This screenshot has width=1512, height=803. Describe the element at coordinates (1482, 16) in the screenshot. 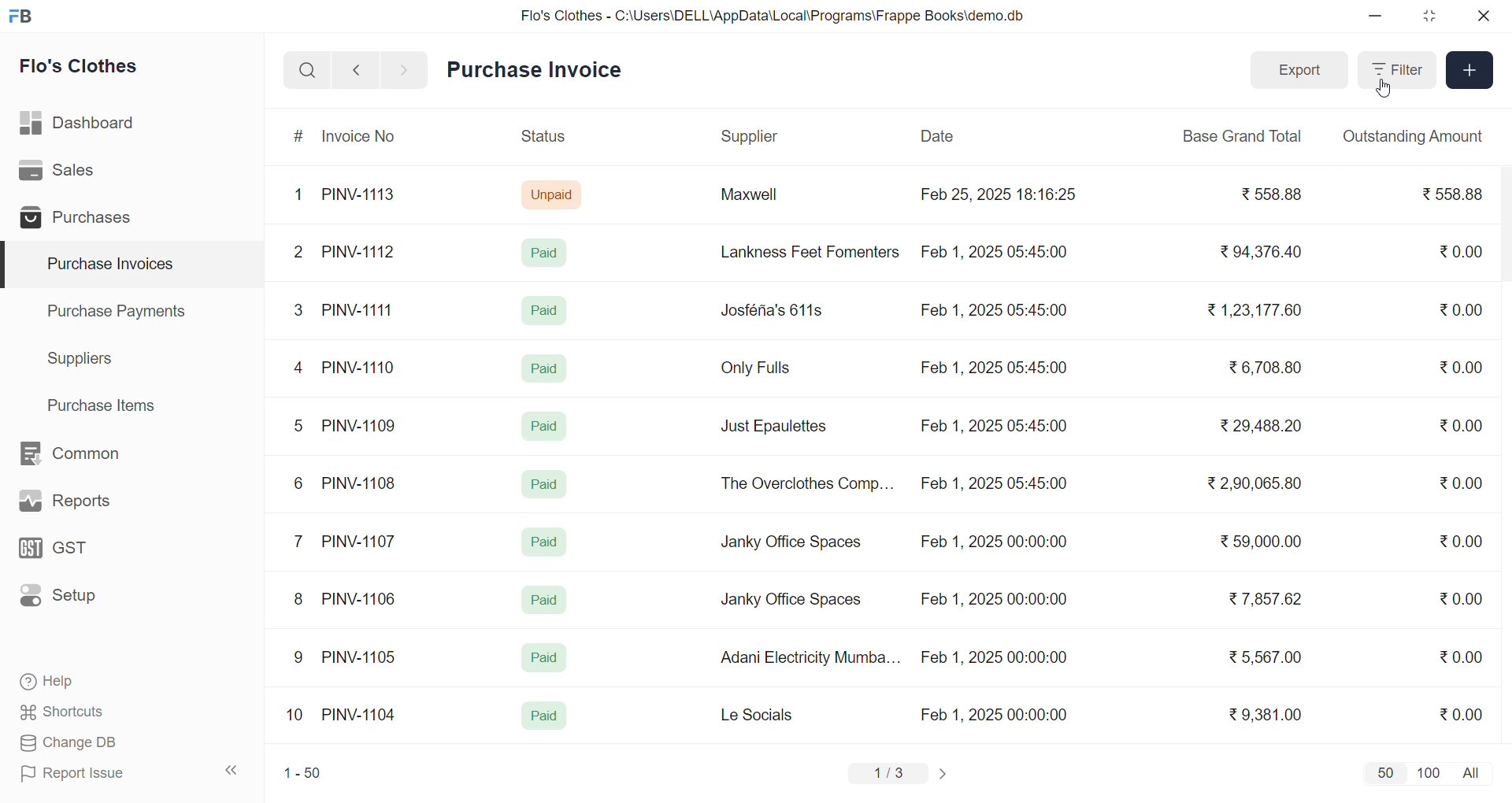

I see `close` at that location.